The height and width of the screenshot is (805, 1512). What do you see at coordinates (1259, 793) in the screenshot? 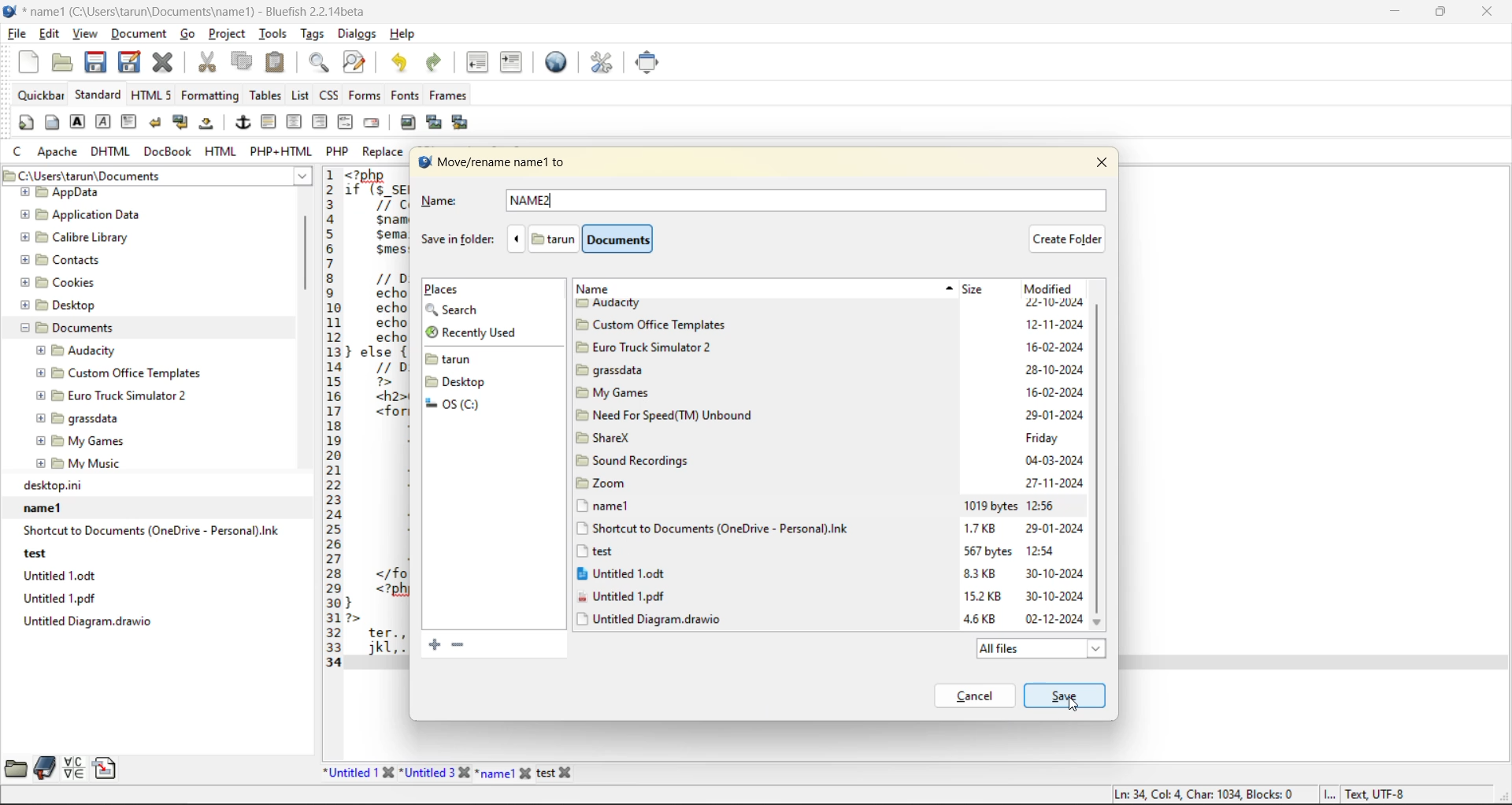
I see `metadata` at bounding box center [1259, 793].